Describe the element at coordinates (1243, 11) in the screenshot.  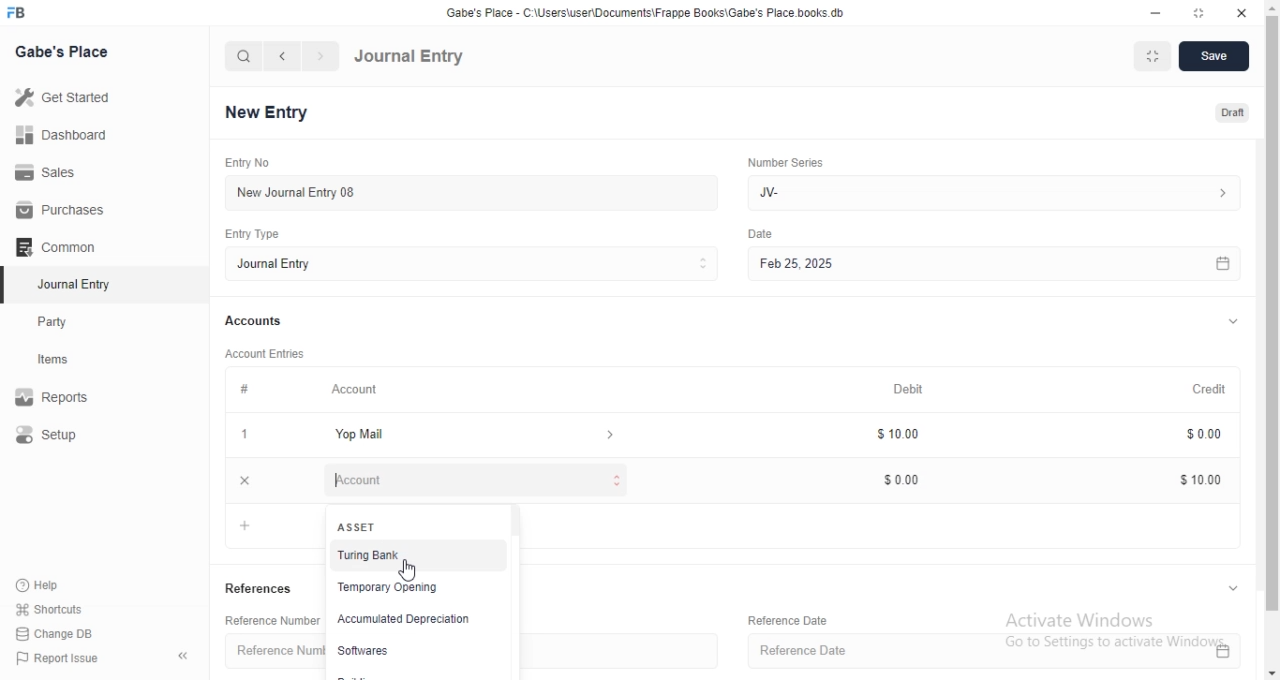
I see `close` at that location.